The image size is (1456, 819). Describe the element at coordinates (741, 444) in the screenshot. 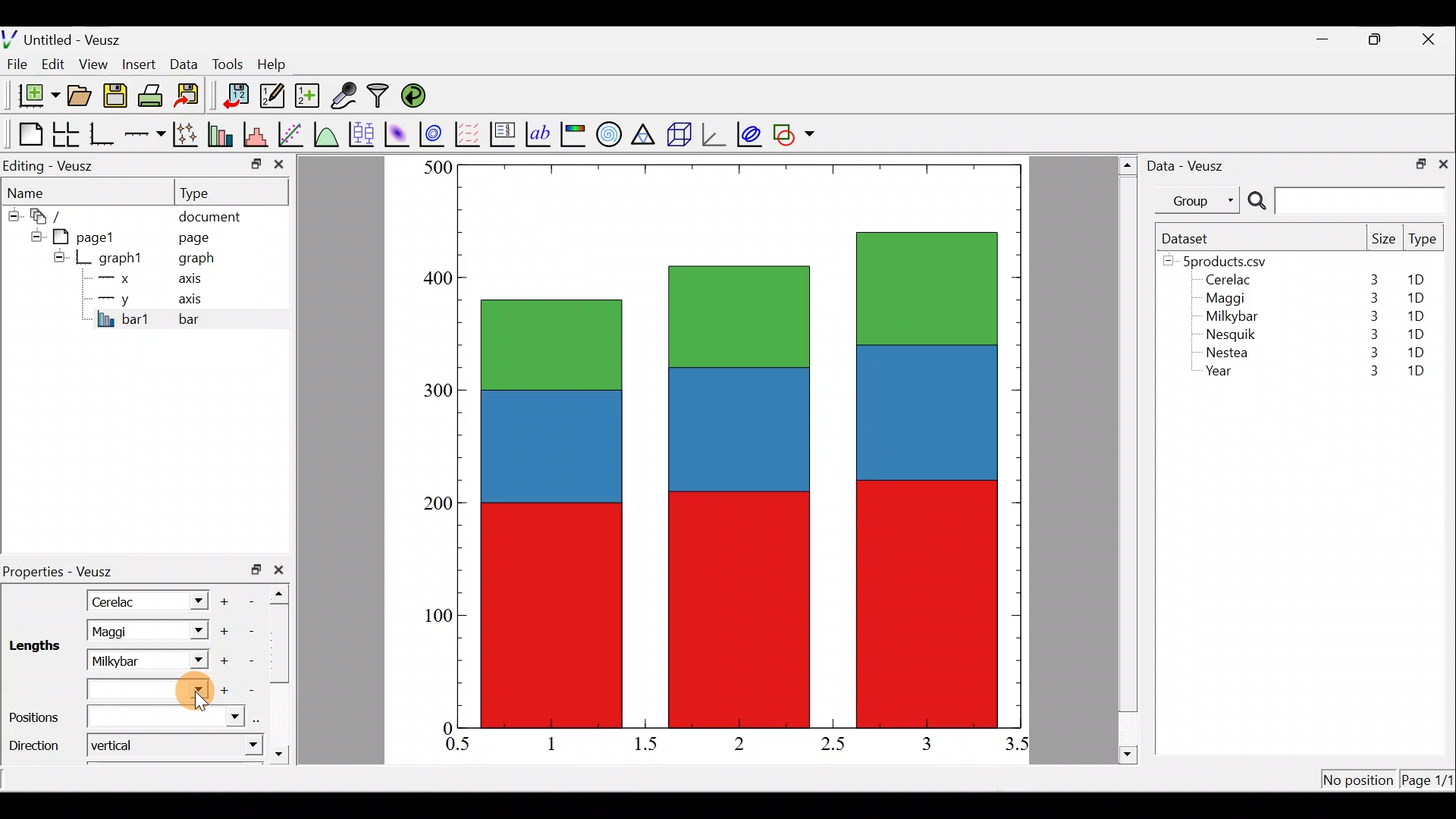

I see `bar chart inserted` at that location.